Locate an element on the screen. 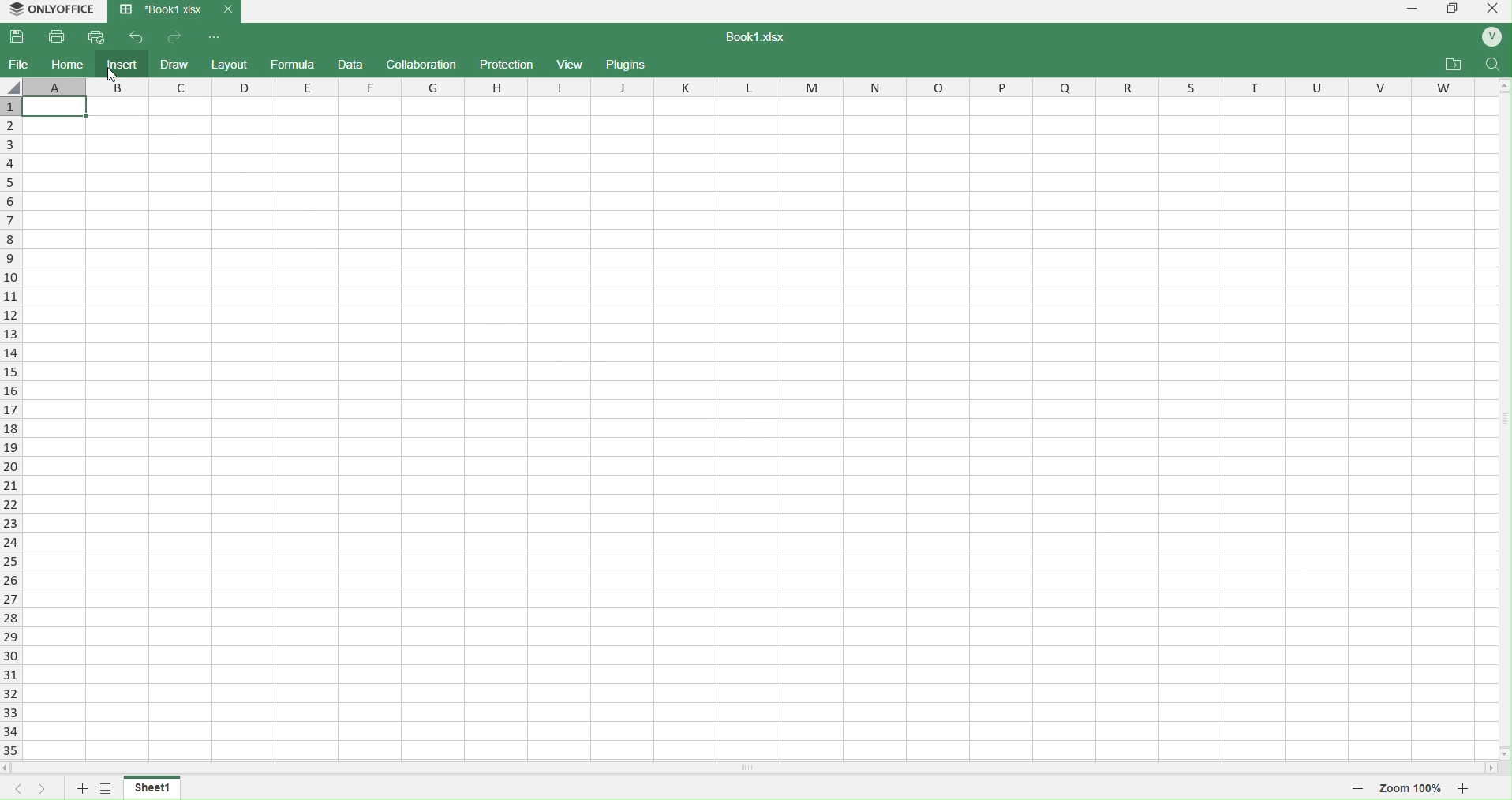  rows is located at coordinates (9, 418).